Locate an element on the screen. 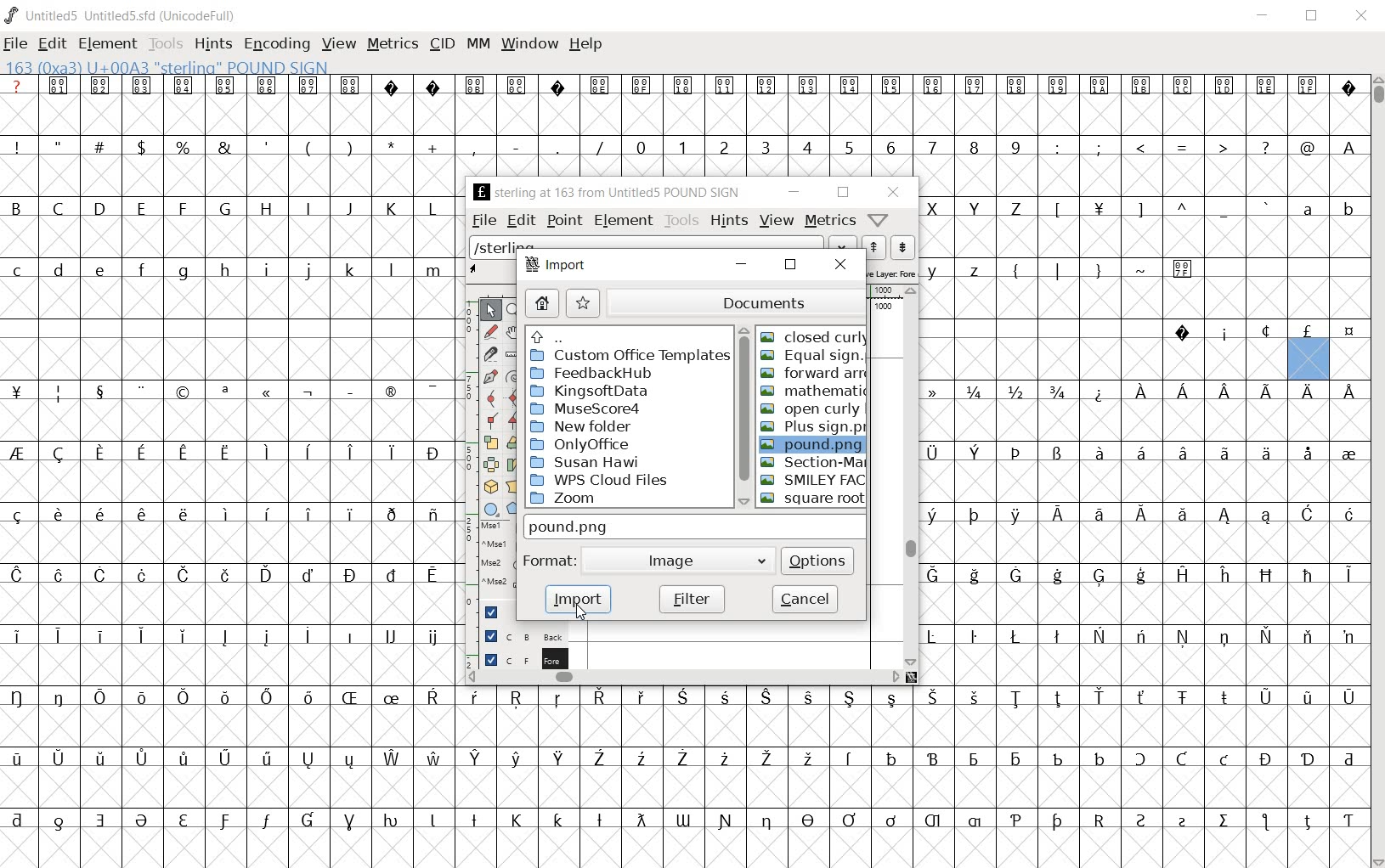  Symbol is located at coordinates (684, 820).